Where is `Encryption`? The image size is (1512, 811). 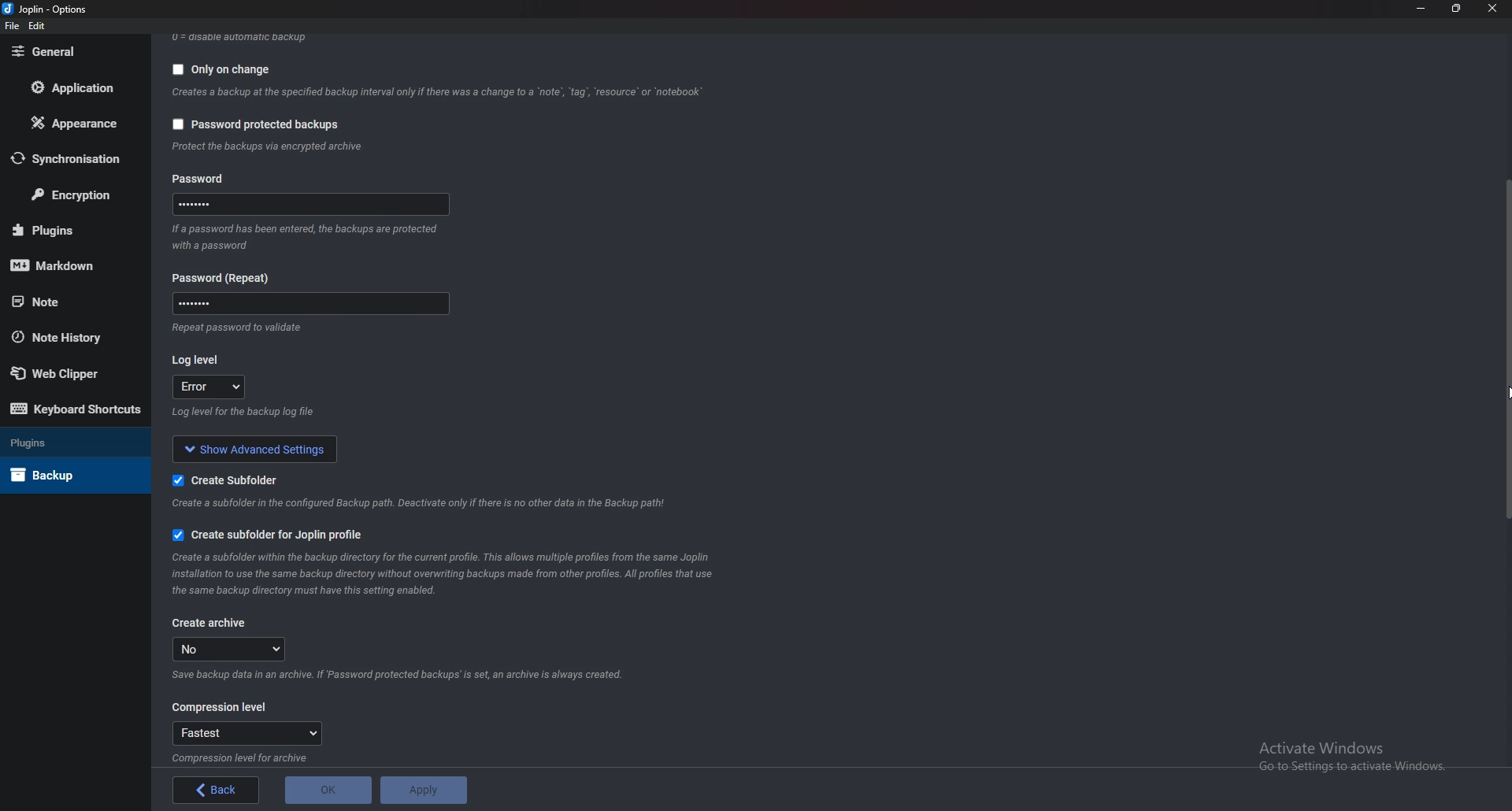 Encryption is located at coordinates (77, 194).